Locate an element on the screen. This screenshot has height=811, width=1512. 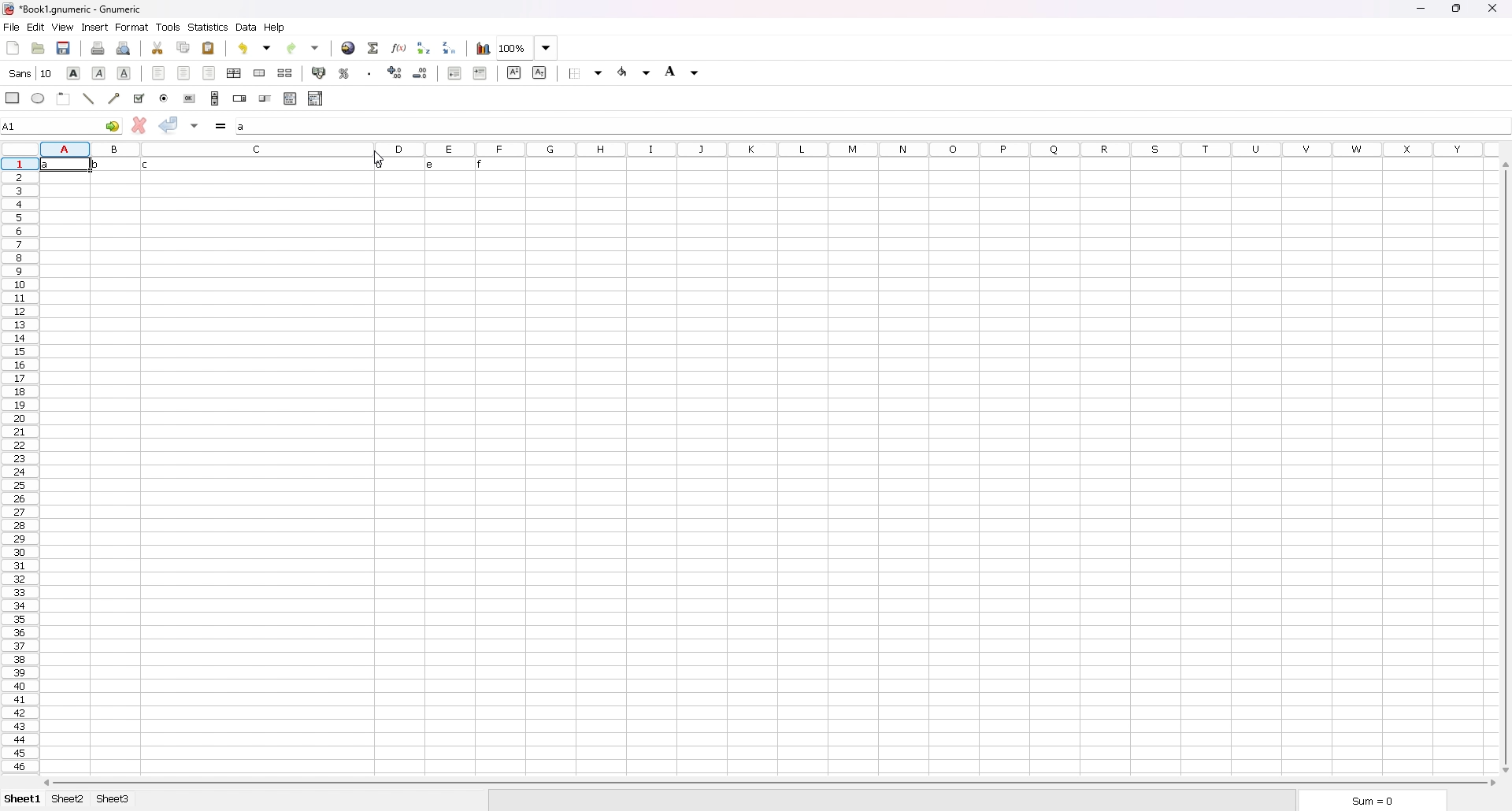
sheet 2 is located at coordinates (68, 800).